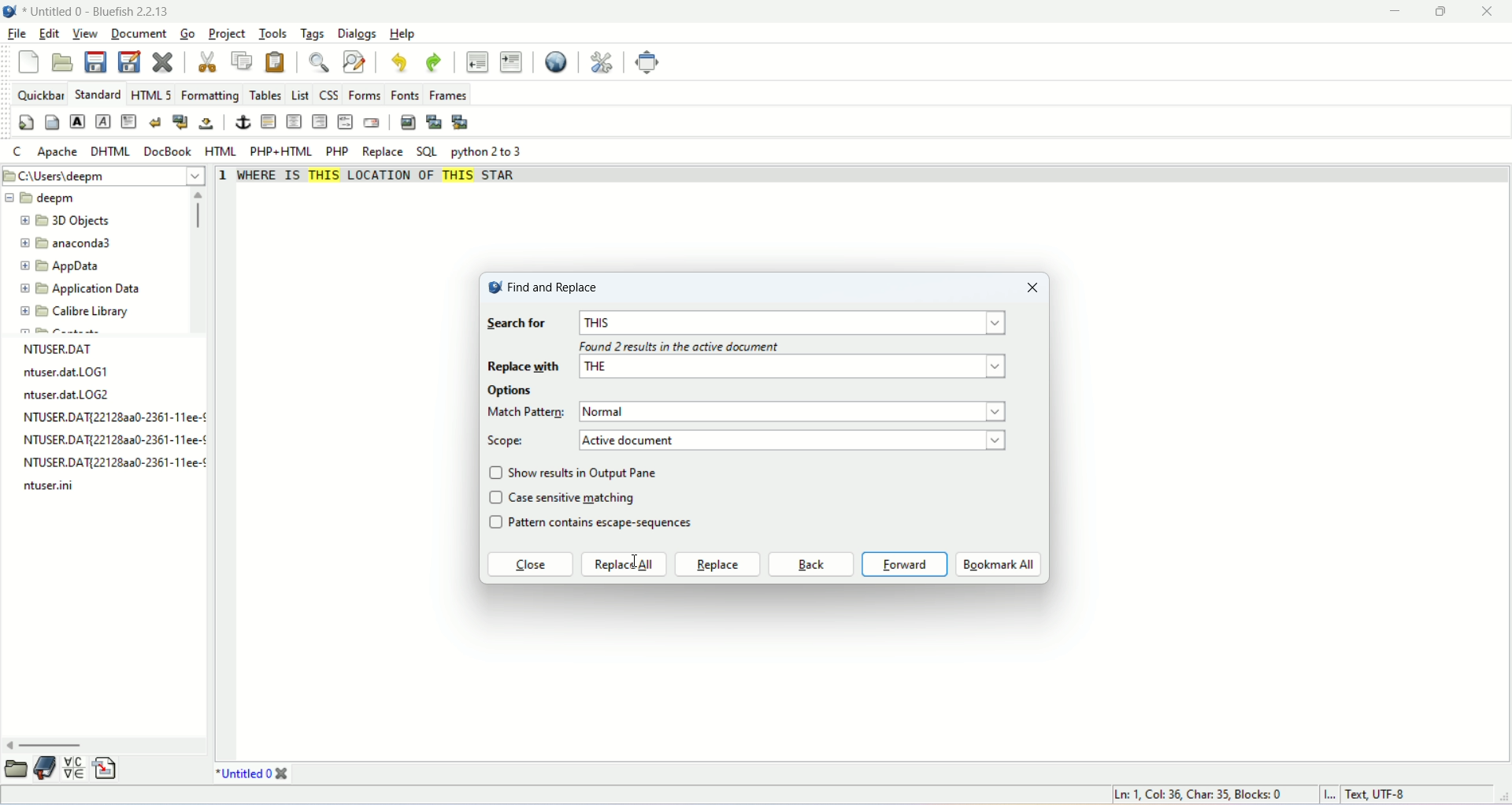 The height and width of the screenshot is (805, 1512). Describe the element at coordinates (270, 121) in the screenshot. I see `horizontal rule` at that location.